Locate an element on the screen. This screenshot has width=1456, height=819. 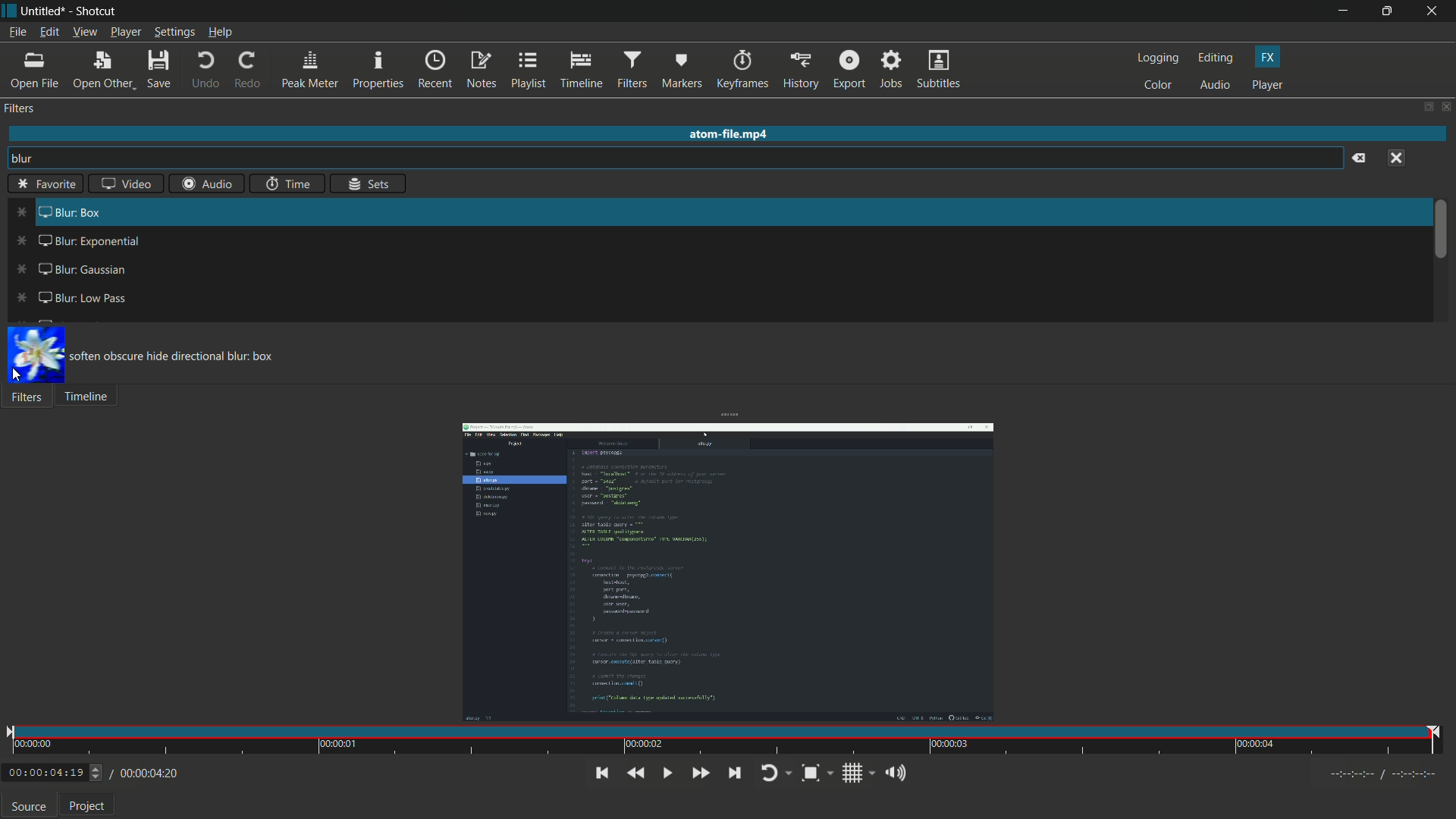
atom-file.mp4 (file name) is located at coordinates (729, 132).